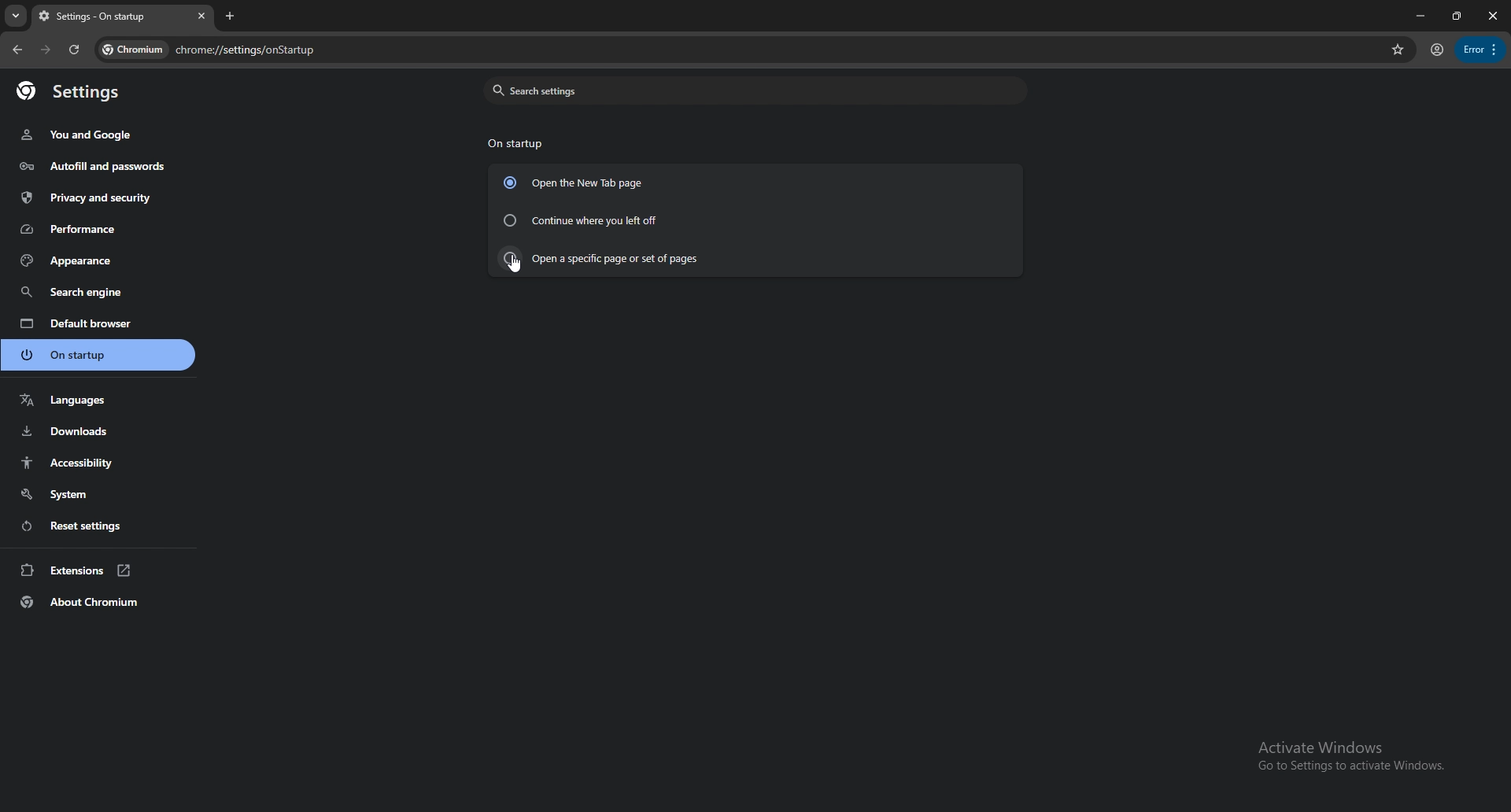 The image size is (1511, 812). I want to click on default browser, so click(98, 323).